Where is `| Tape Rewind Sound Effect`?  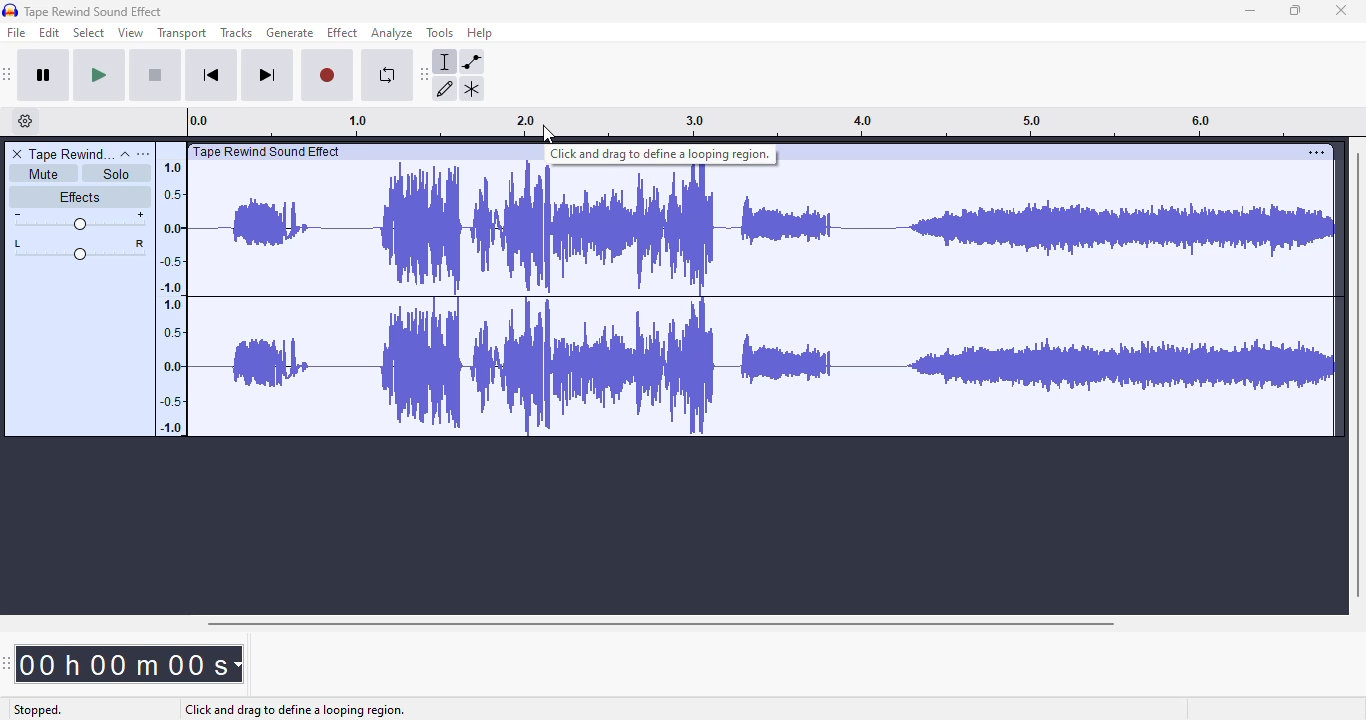 | Tape Rewind Sound Effect is located at coordinates (266, 152).